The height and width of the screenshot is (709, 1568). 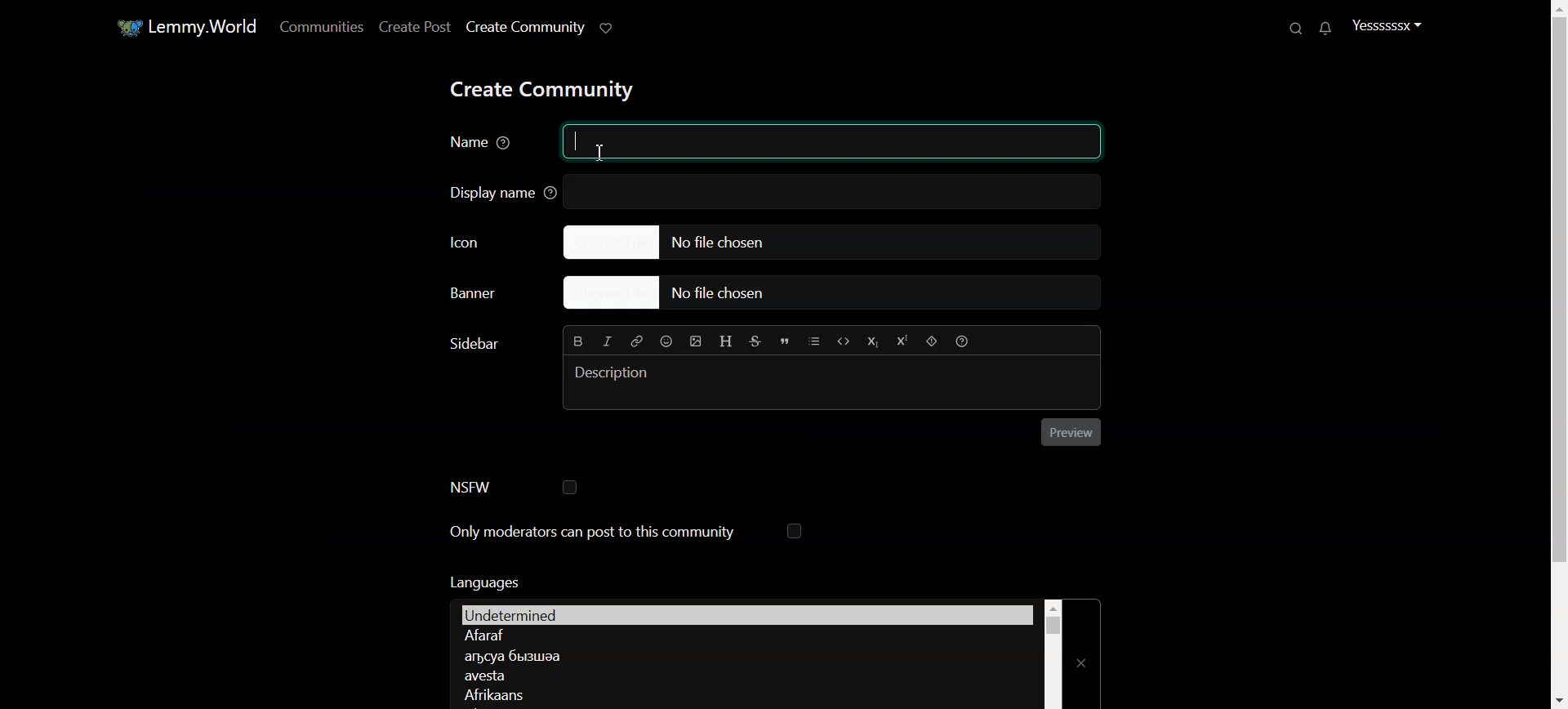 What do you see at coordinates (483, 144) in the screenshot?
I see `Name` at bounding box center [483, 144].